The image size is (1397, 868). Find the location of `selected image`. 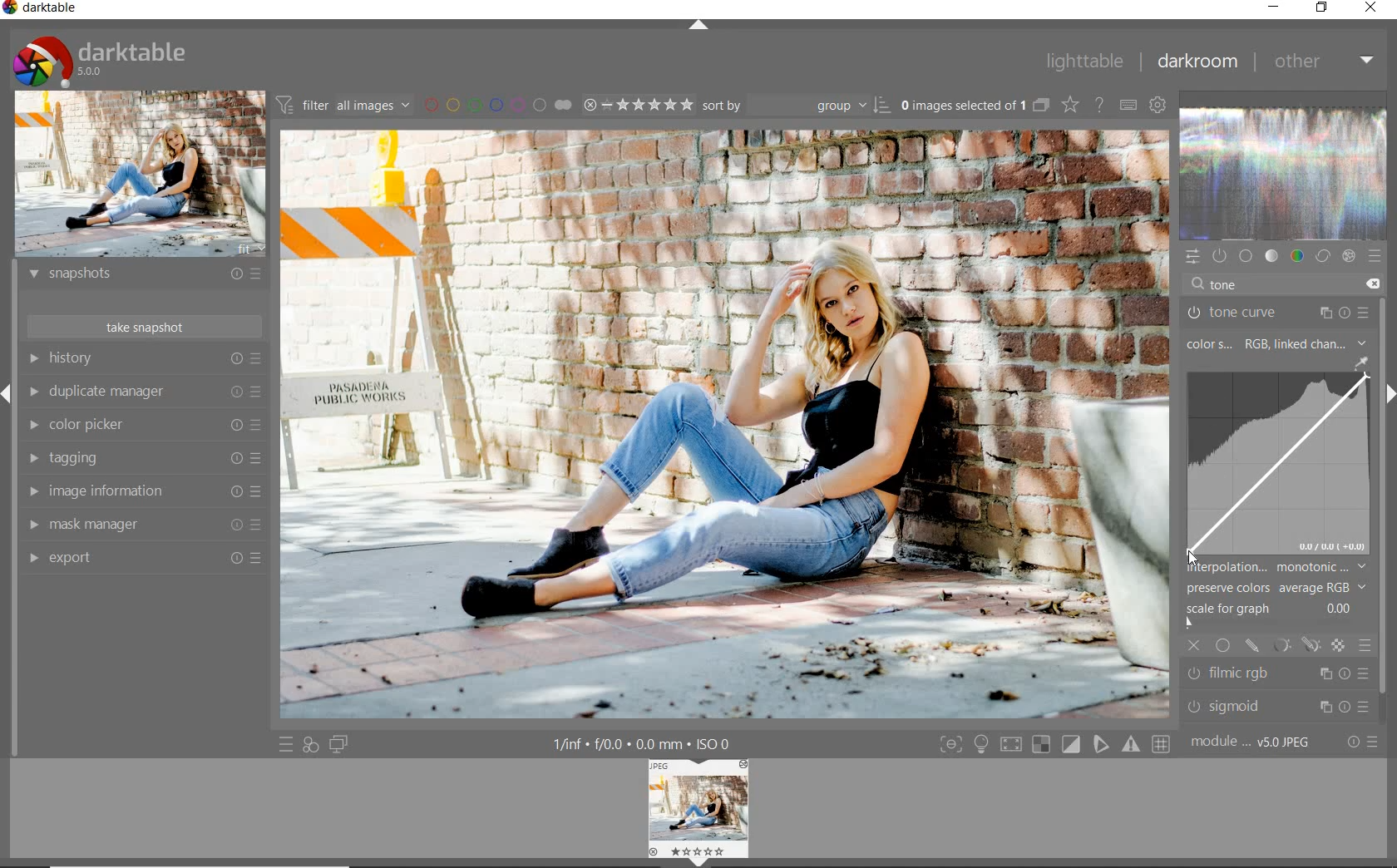

selected image is located at coordinates (723, 427).